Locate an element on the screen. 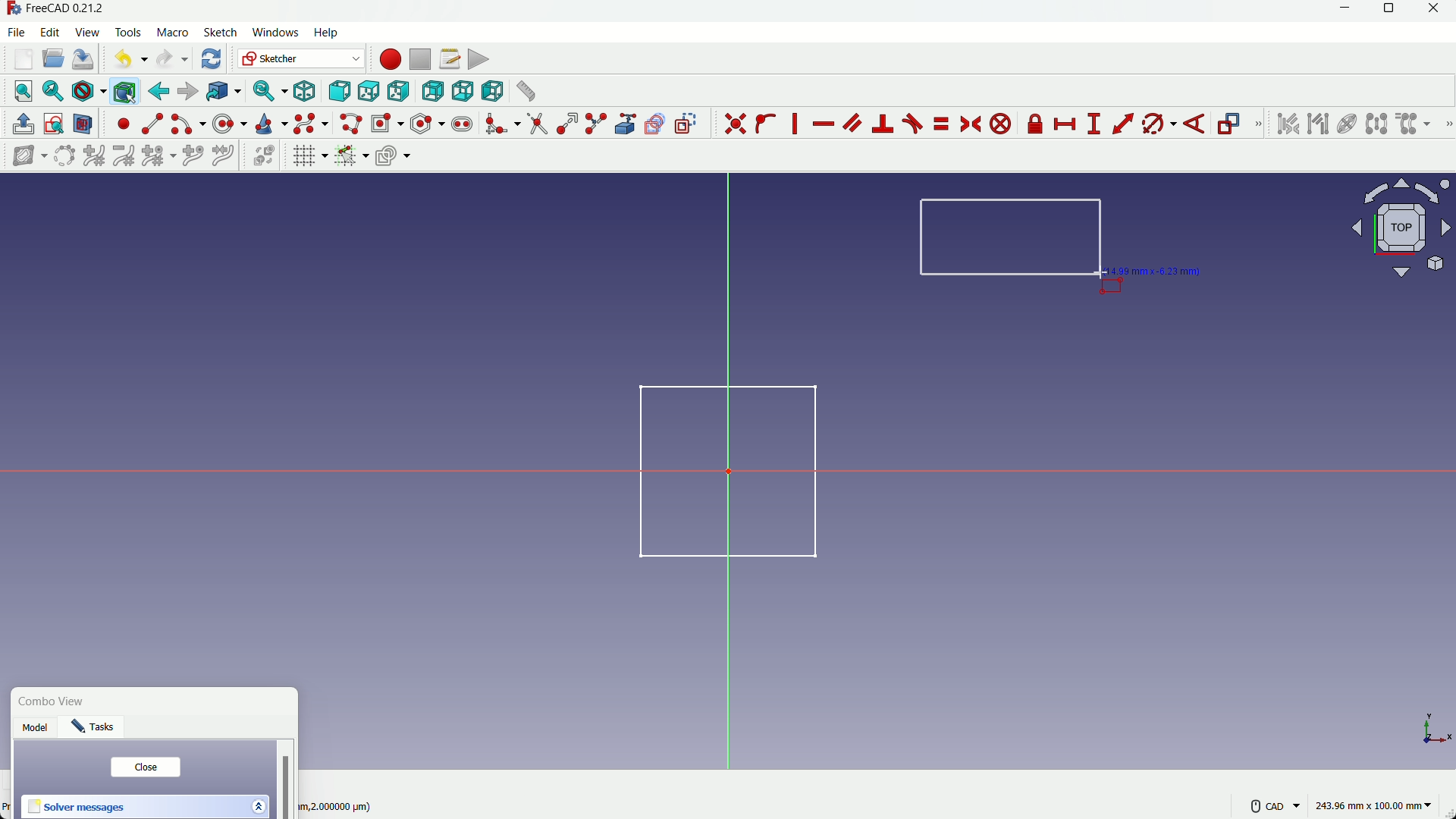 Image resolution: width=1456 pixels, height=819 pixels. (14.99mm x -6.23mm) is located at coordinates (1159, 270).